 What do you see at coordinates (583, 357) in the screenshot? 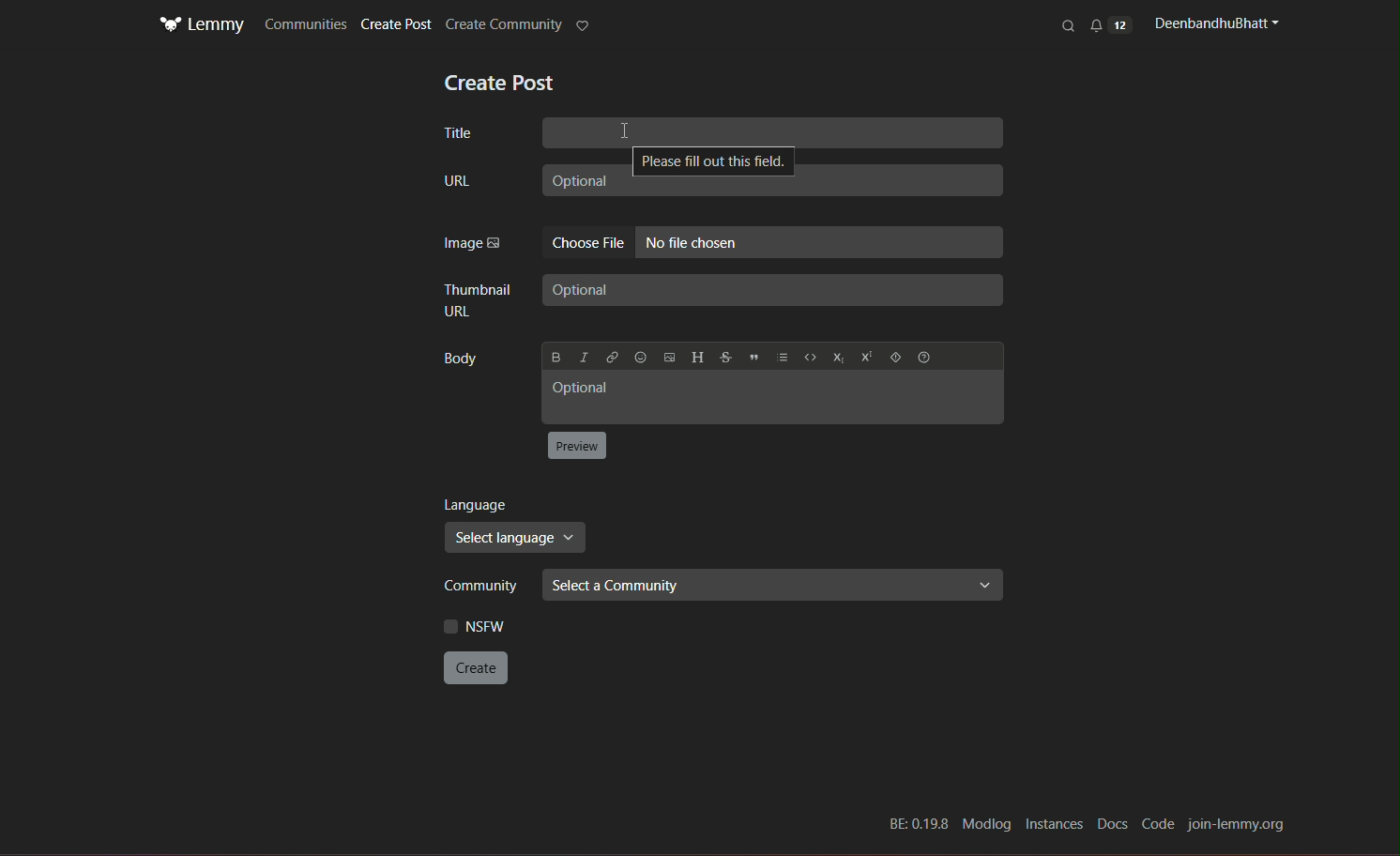
I see `Italic` at bounding box center [583, 357].